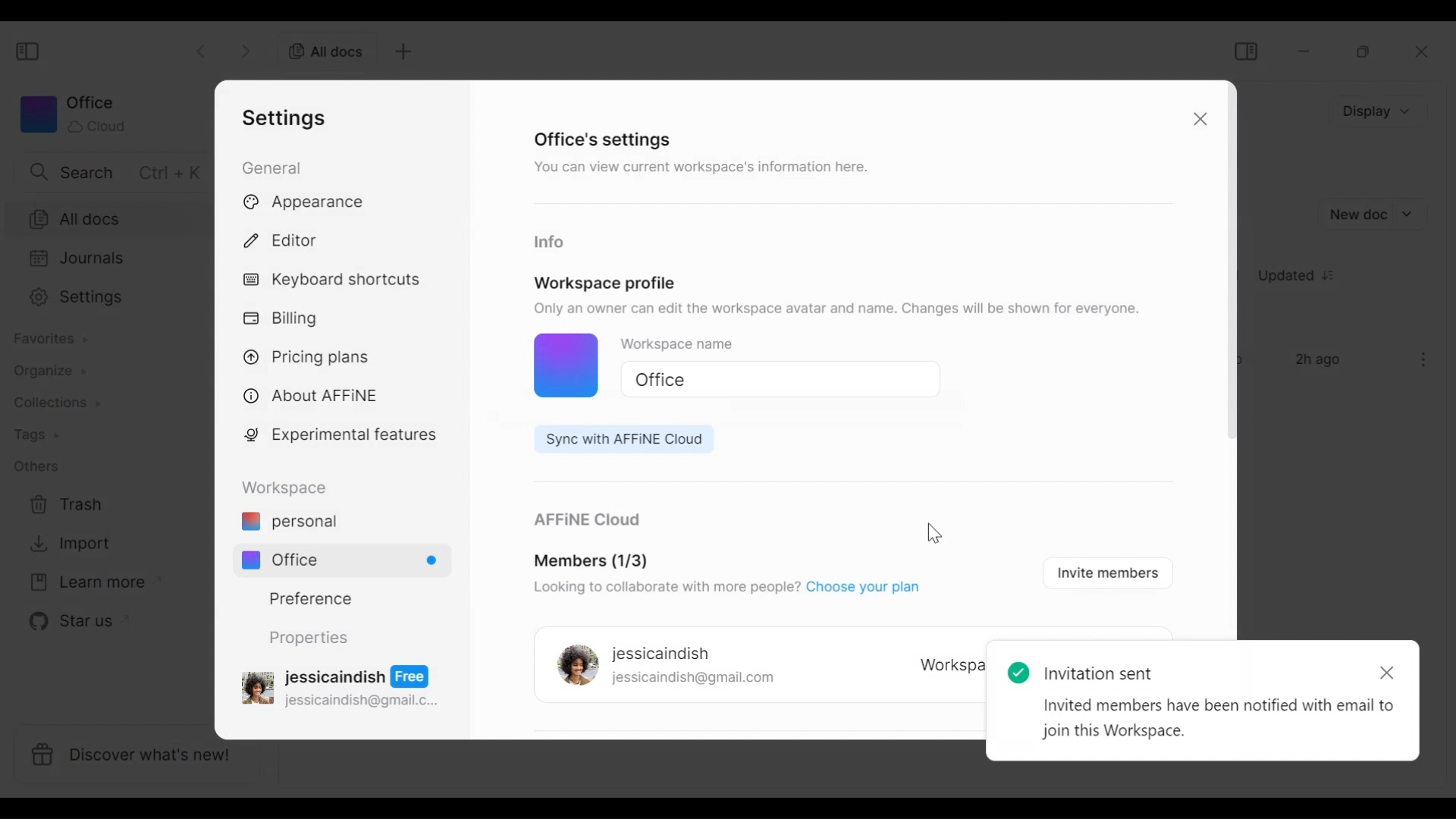  I want to click on Info, so click(548, 243).